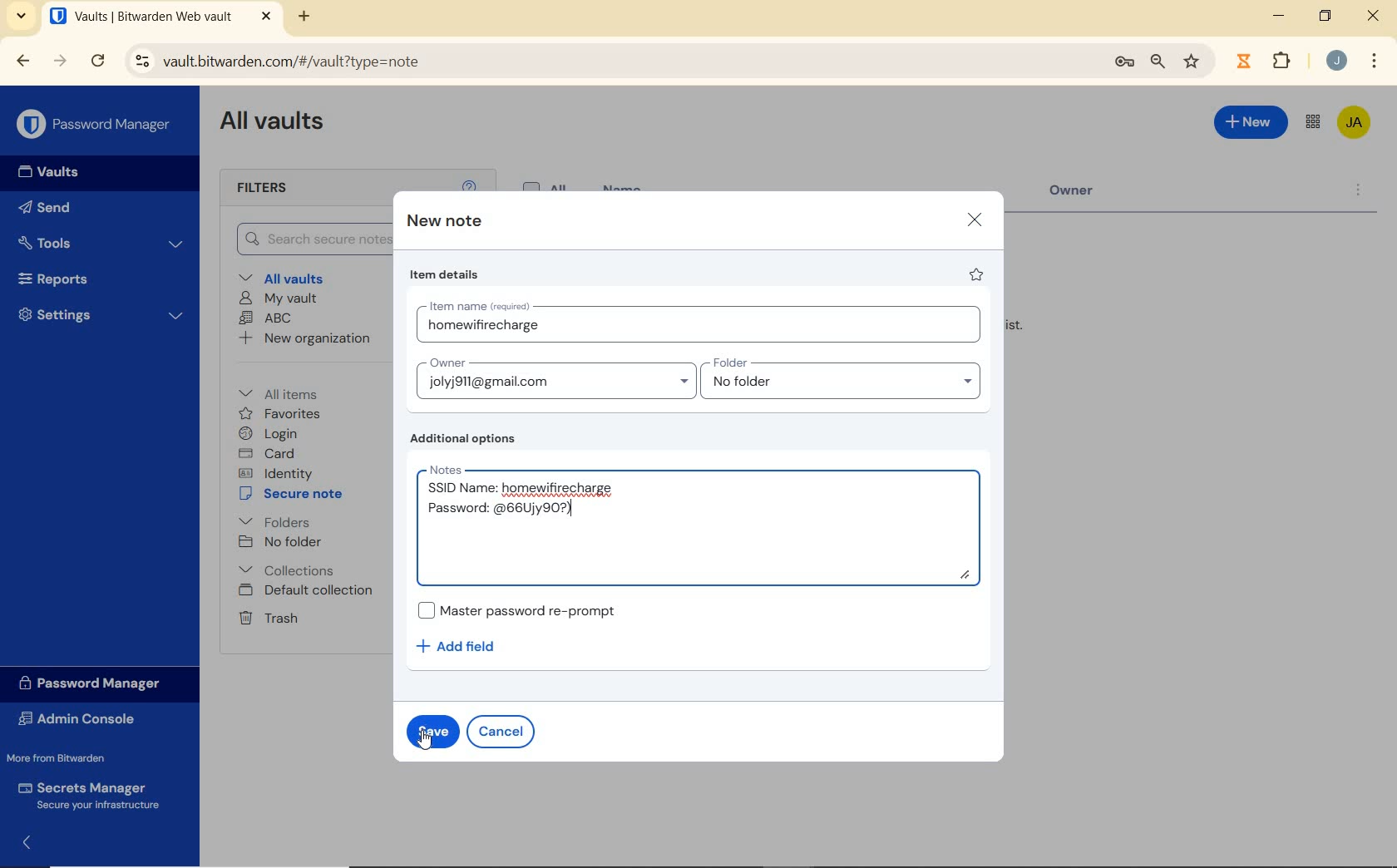 This screenshot has width=1397, height=868. What do you see at coordinates (306, 338) in the screenshot?
I see `New organization` at bounding box center [306, 338].